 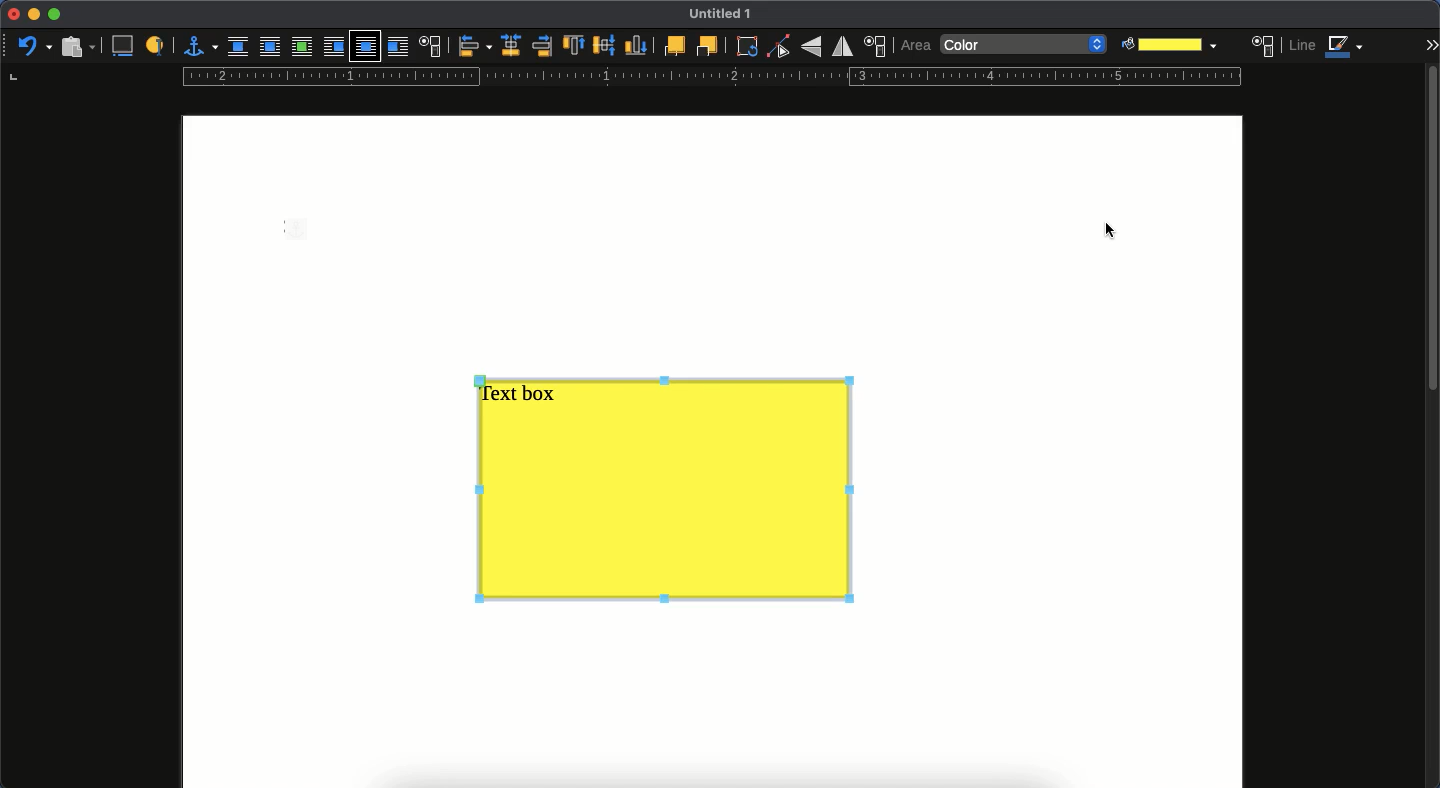 I want to click on position and size, so click(x=877, y=46).